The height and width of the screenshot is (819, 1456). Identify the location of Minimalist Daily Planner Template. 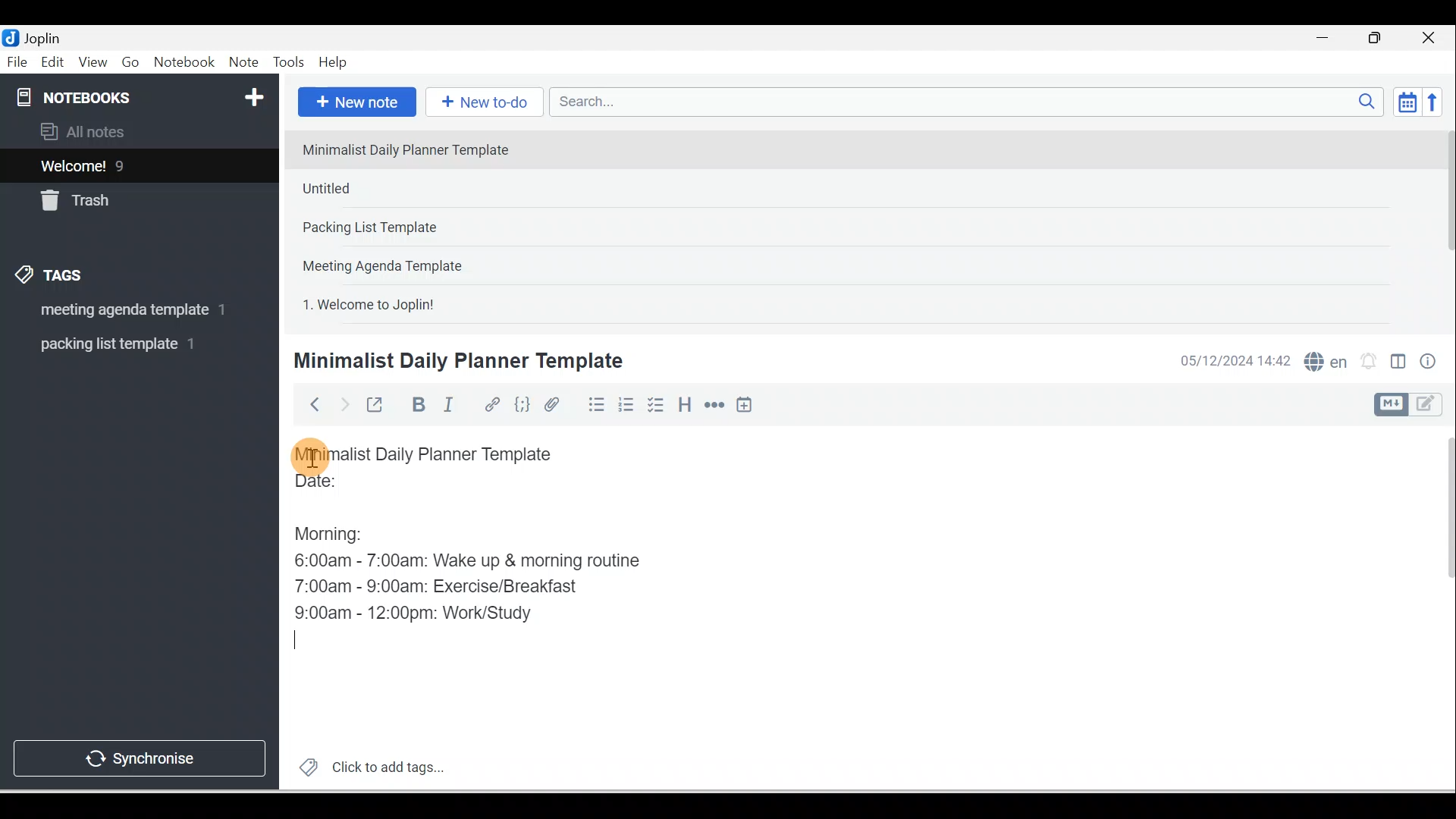
(456, 361).